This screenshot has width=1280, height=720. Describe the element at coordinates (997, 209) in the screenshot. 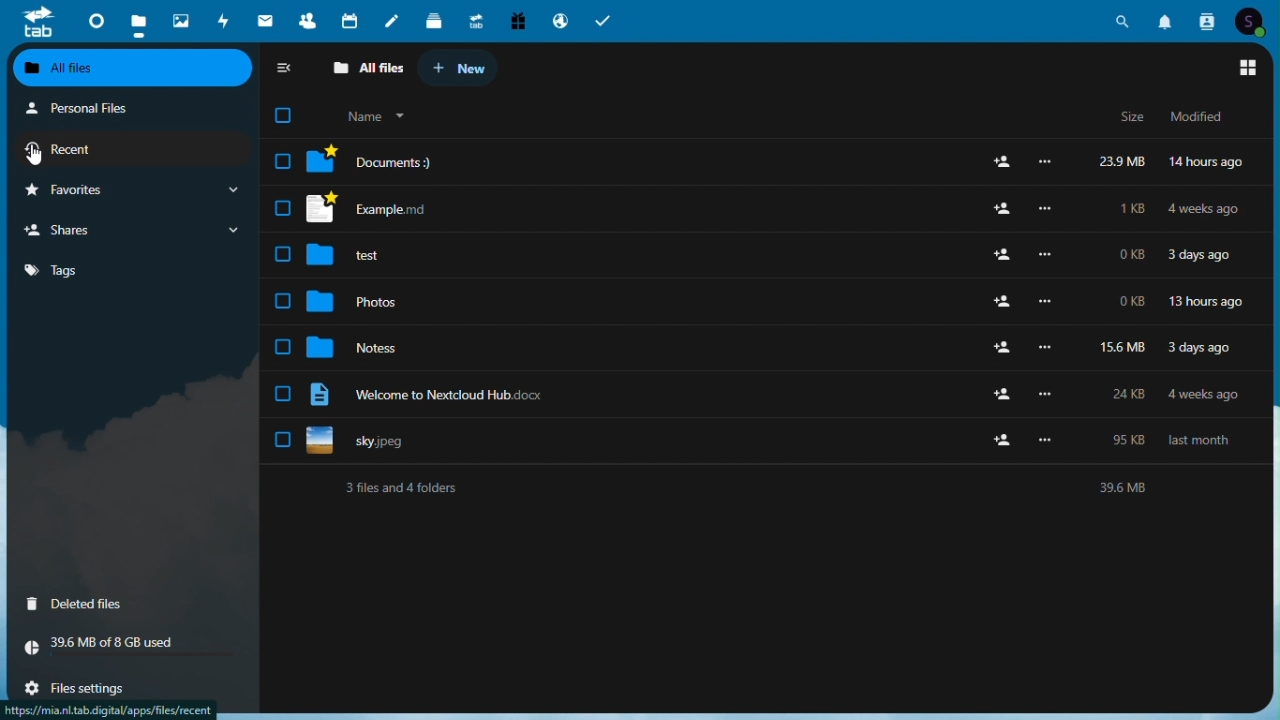

I see `add user` at that location.